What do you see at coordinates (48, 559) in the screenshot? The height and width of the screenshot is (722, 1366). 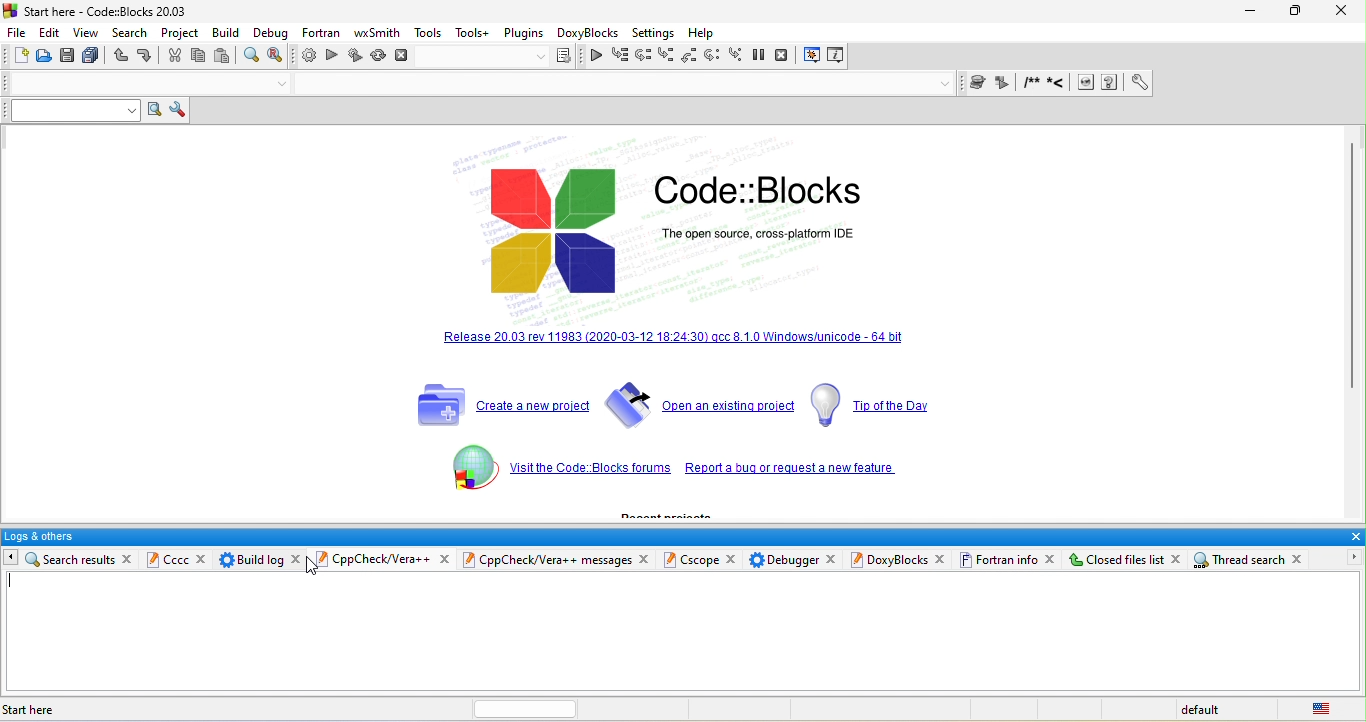 I see `back` at bounding box center [48, 559].